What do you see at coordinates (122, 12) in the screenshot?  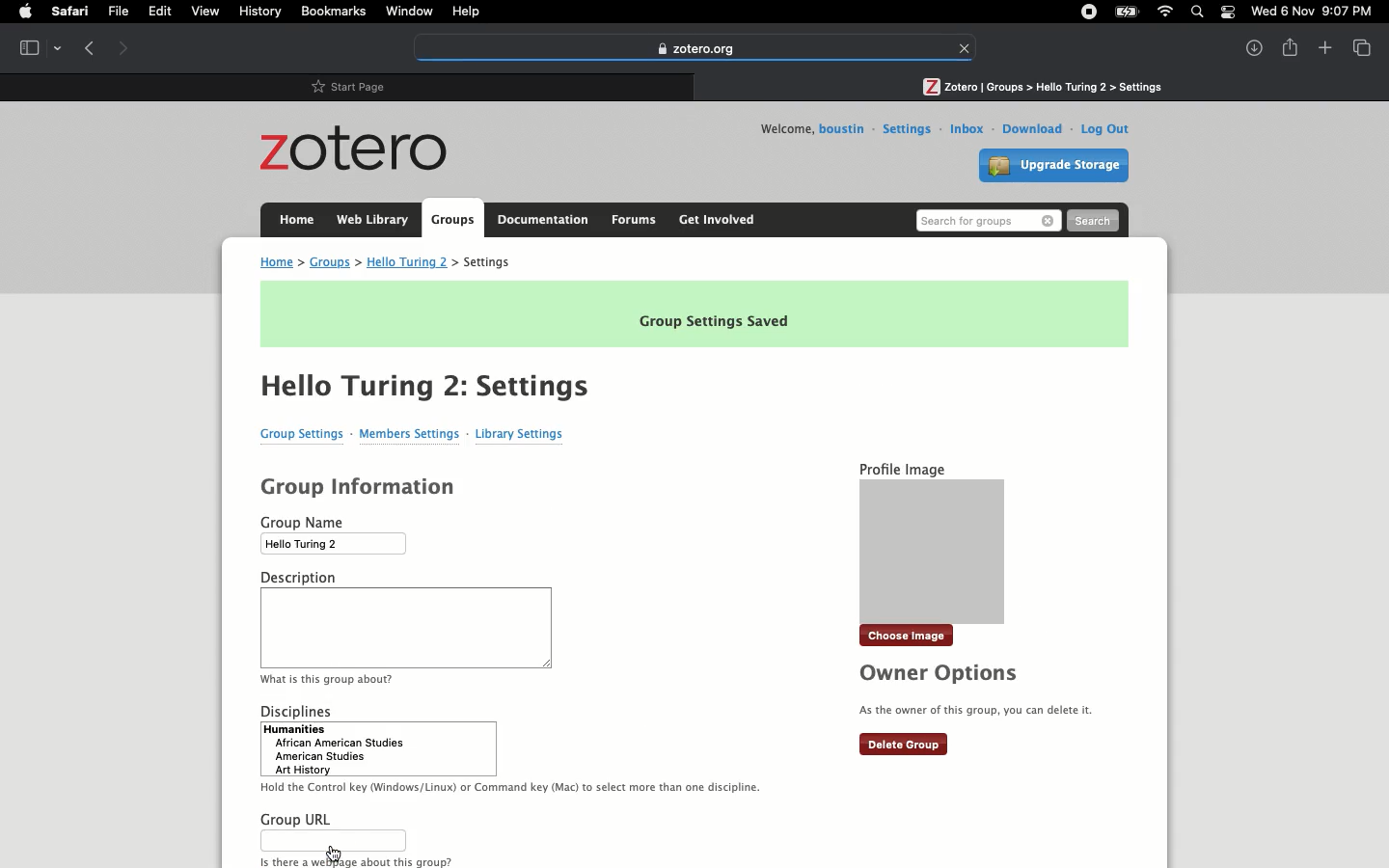 I see `File` at bounding box center [122, 12].